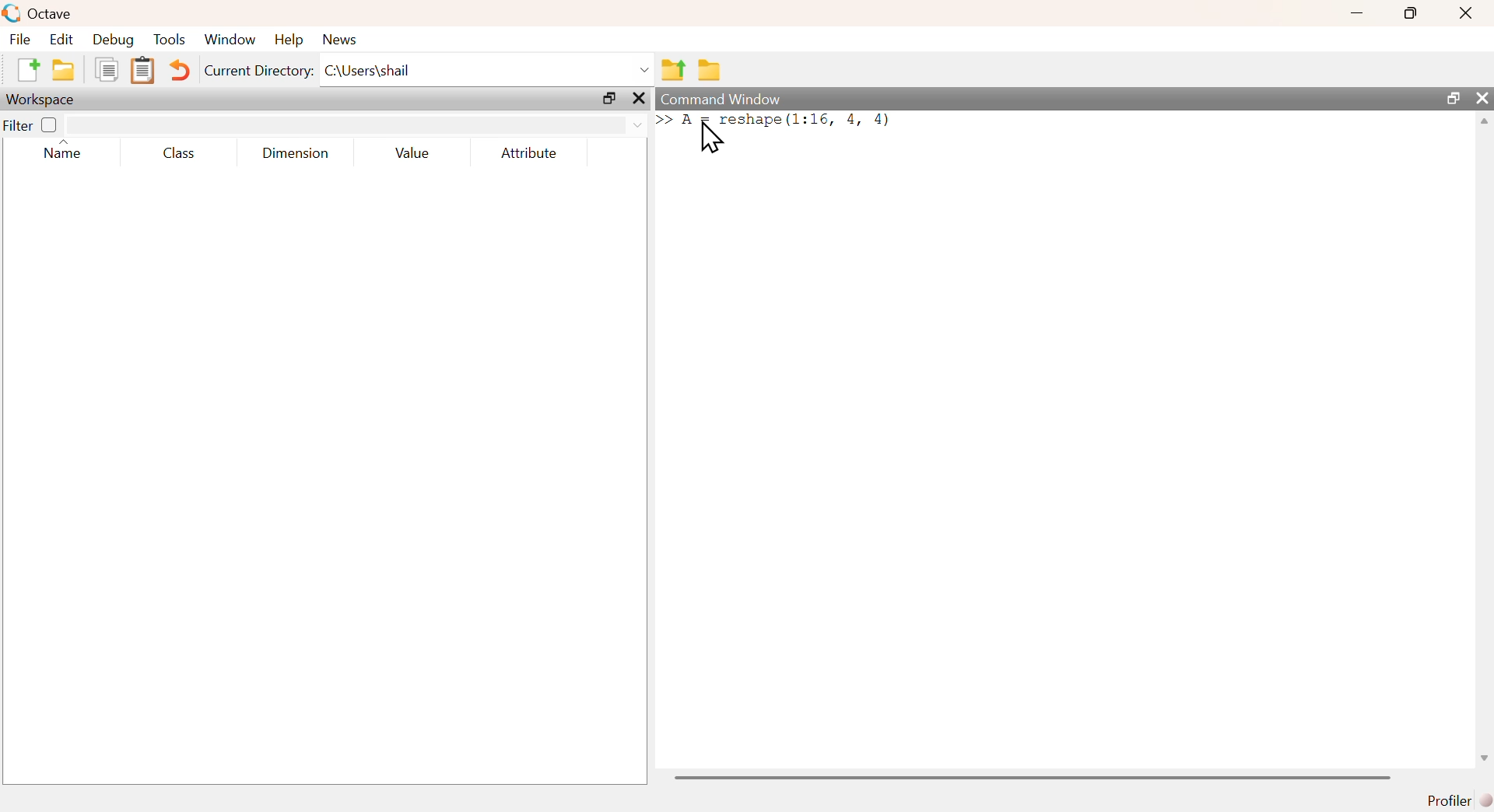  I want to click on dimension, so click(300, 156).